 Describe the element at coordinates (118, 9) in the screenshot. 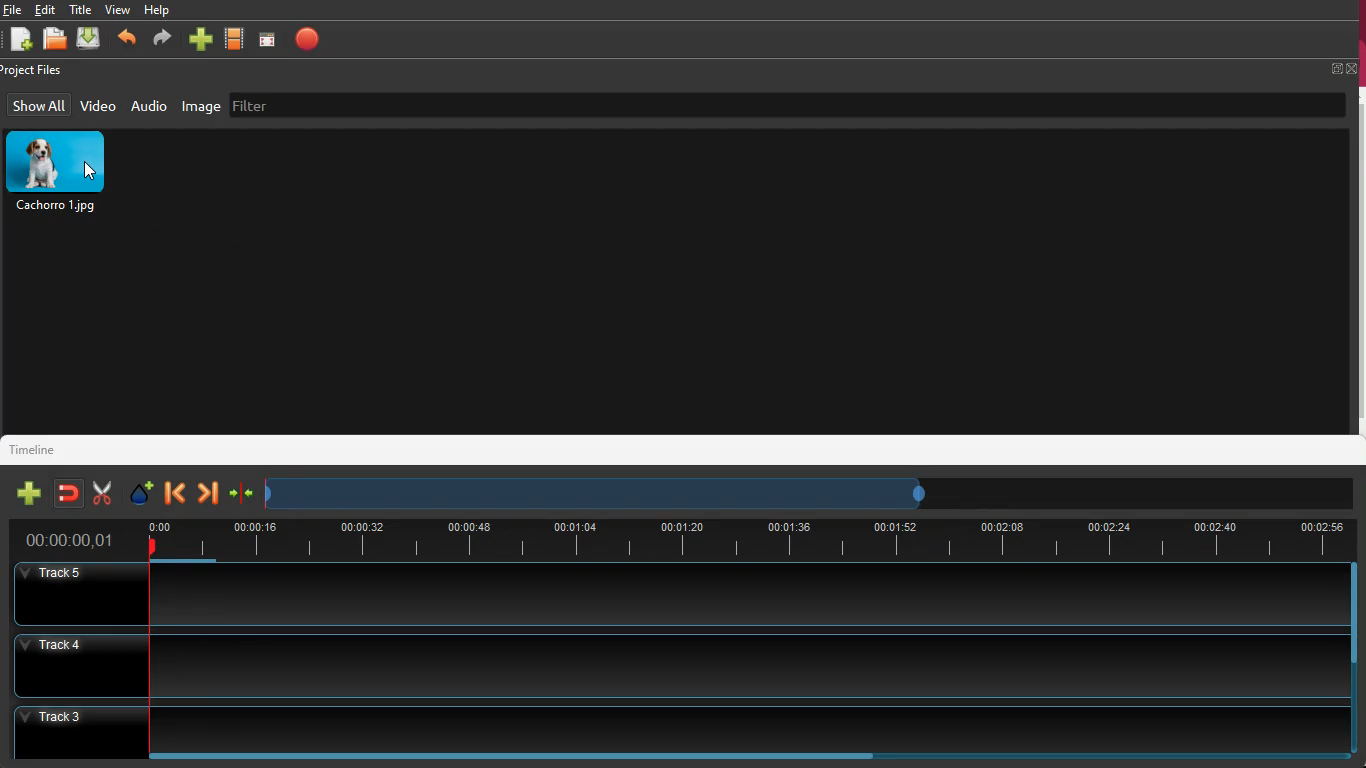

I see `view` at that location.